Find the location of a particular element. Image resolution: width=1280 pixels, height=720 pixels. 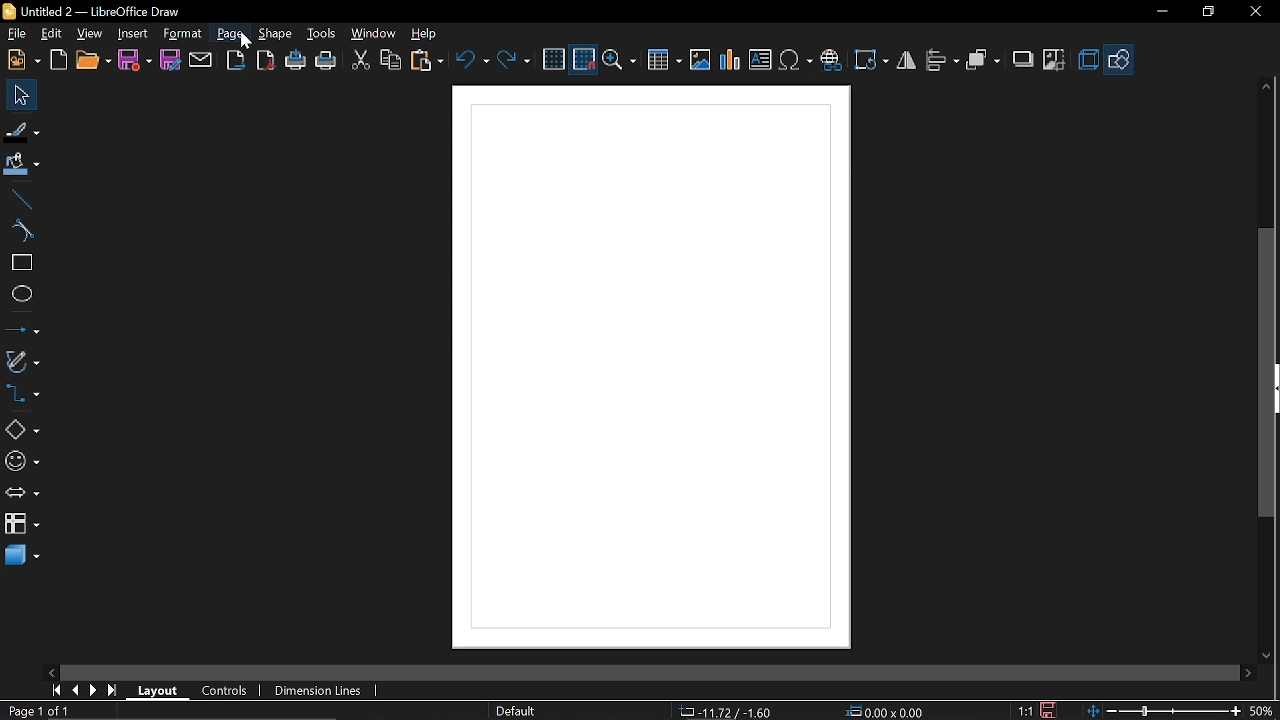

Edit is located at coordinates (51, 34).